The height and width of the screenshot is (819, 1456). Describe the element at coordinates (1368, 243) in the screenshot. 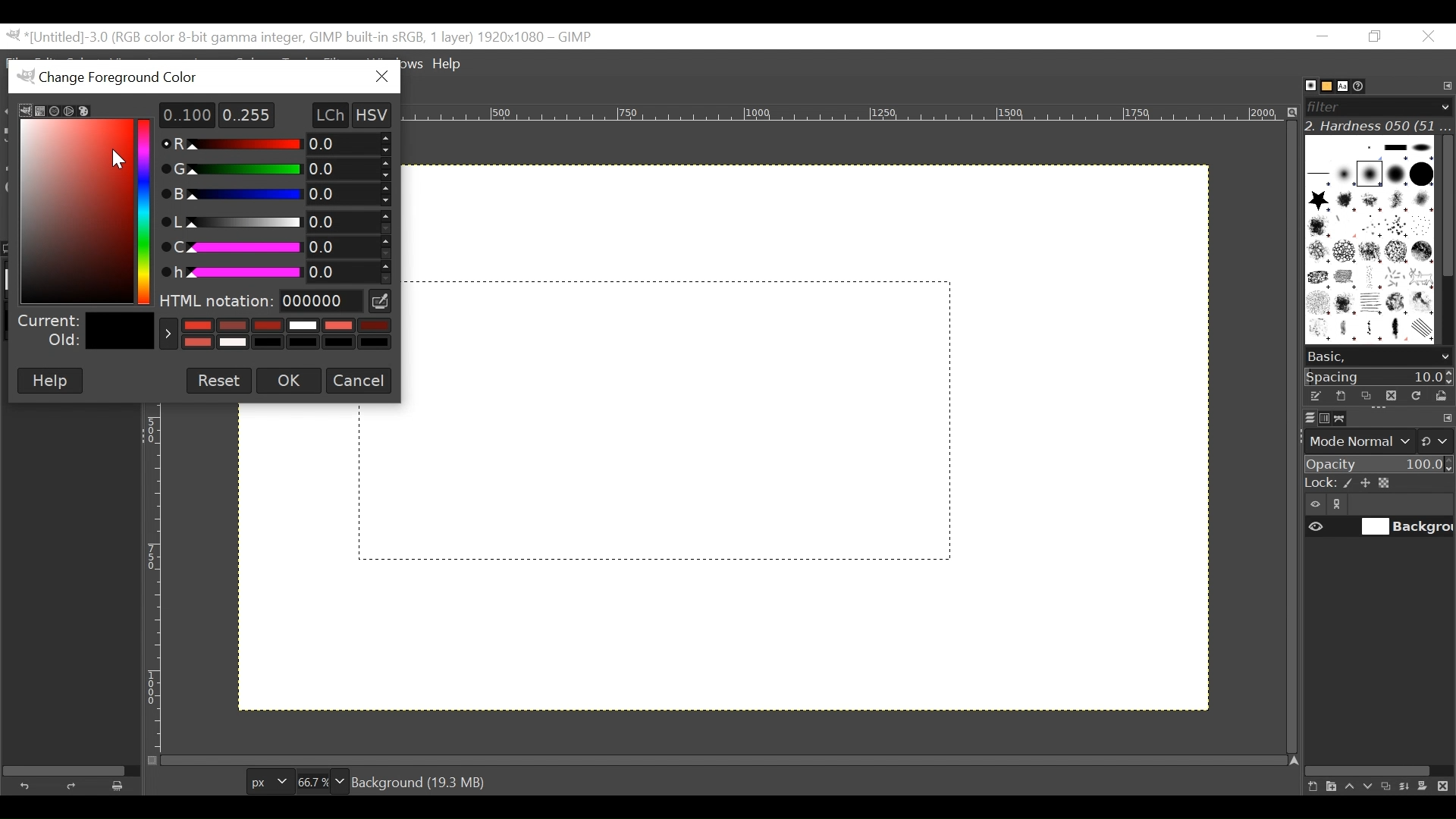

I see `Patterns` at that location.